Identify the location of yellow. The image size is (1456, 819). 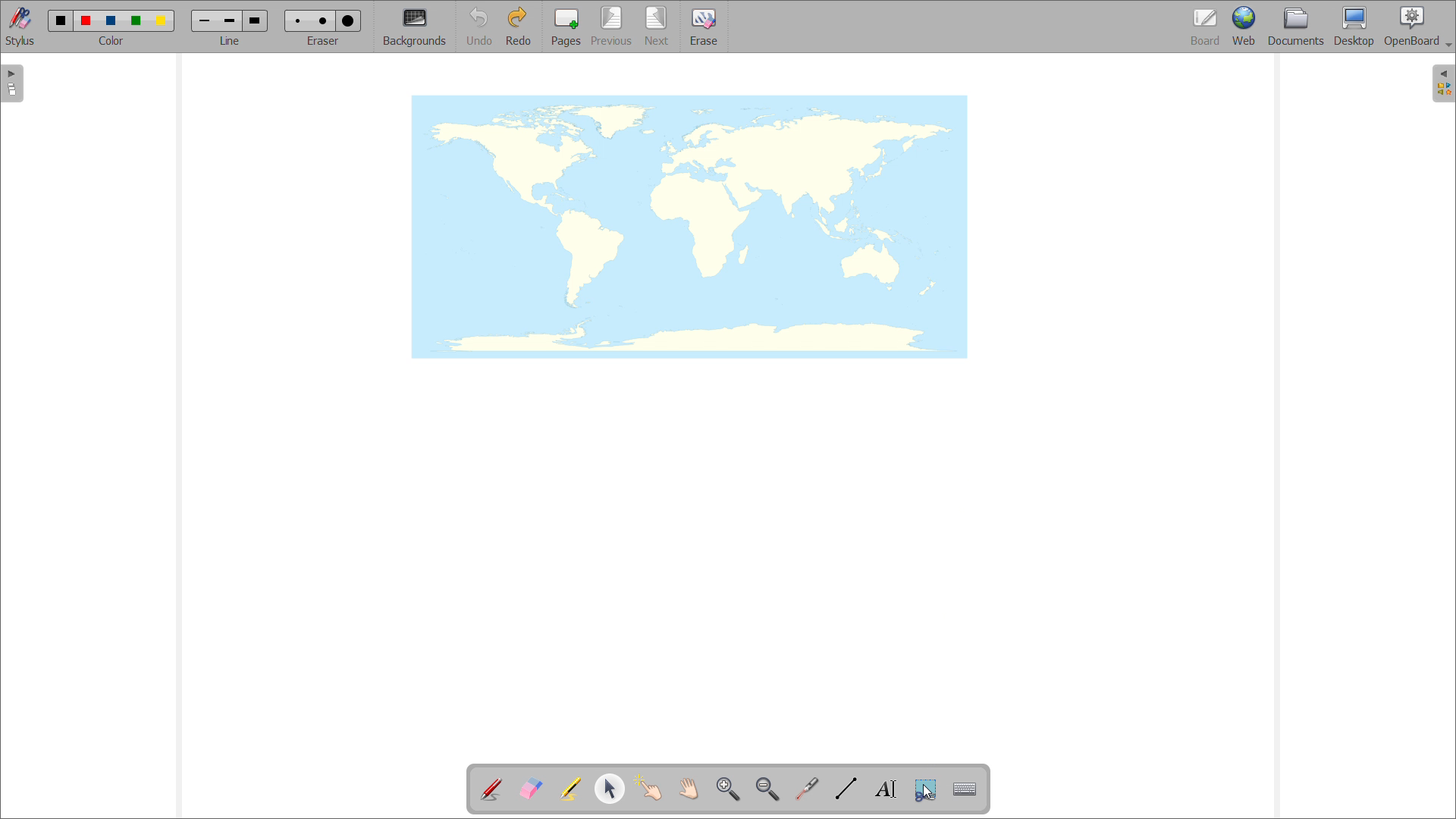
(163, 21).